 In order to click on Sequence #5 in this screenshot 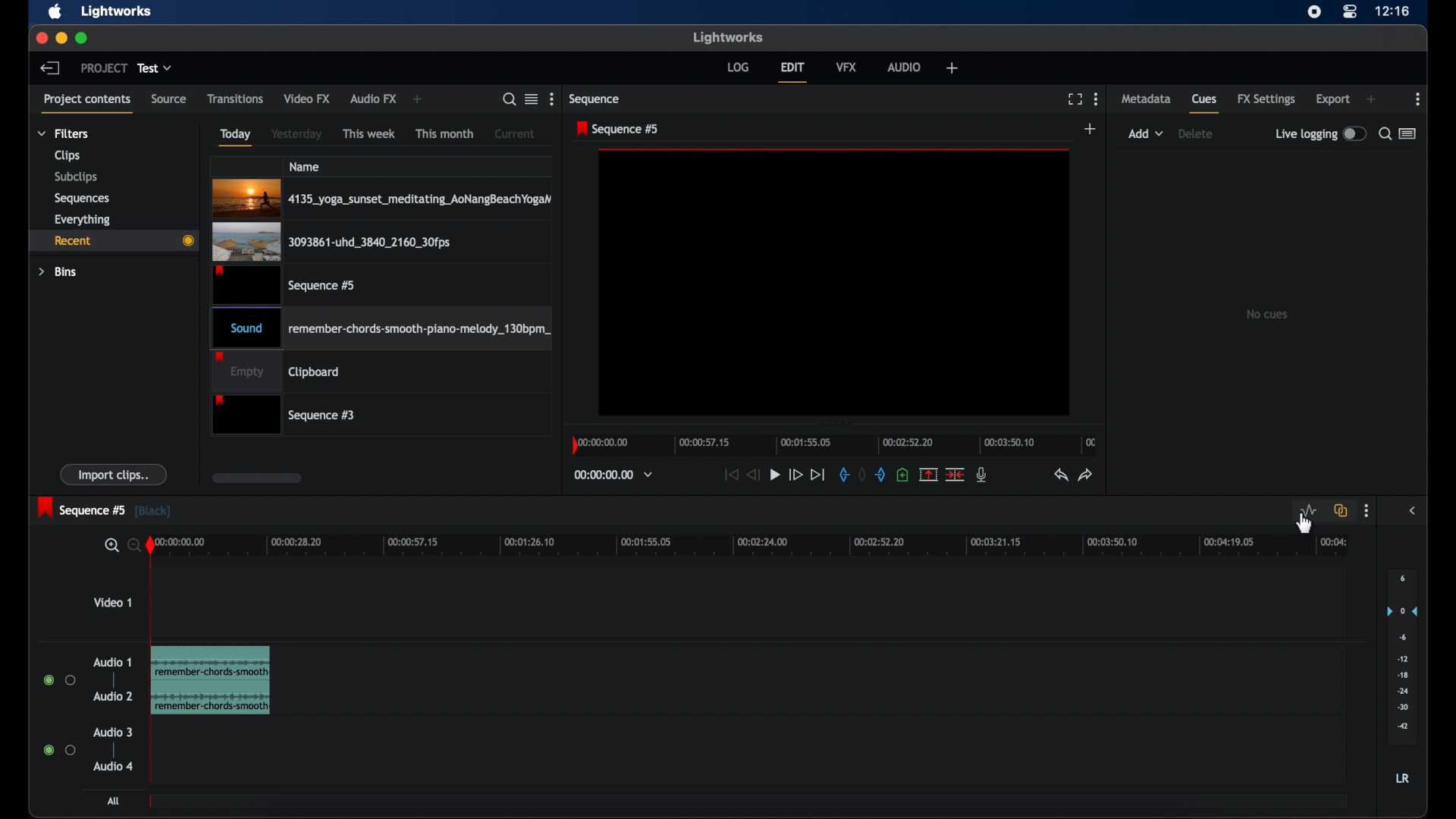, I will do `click(283, 284)`.